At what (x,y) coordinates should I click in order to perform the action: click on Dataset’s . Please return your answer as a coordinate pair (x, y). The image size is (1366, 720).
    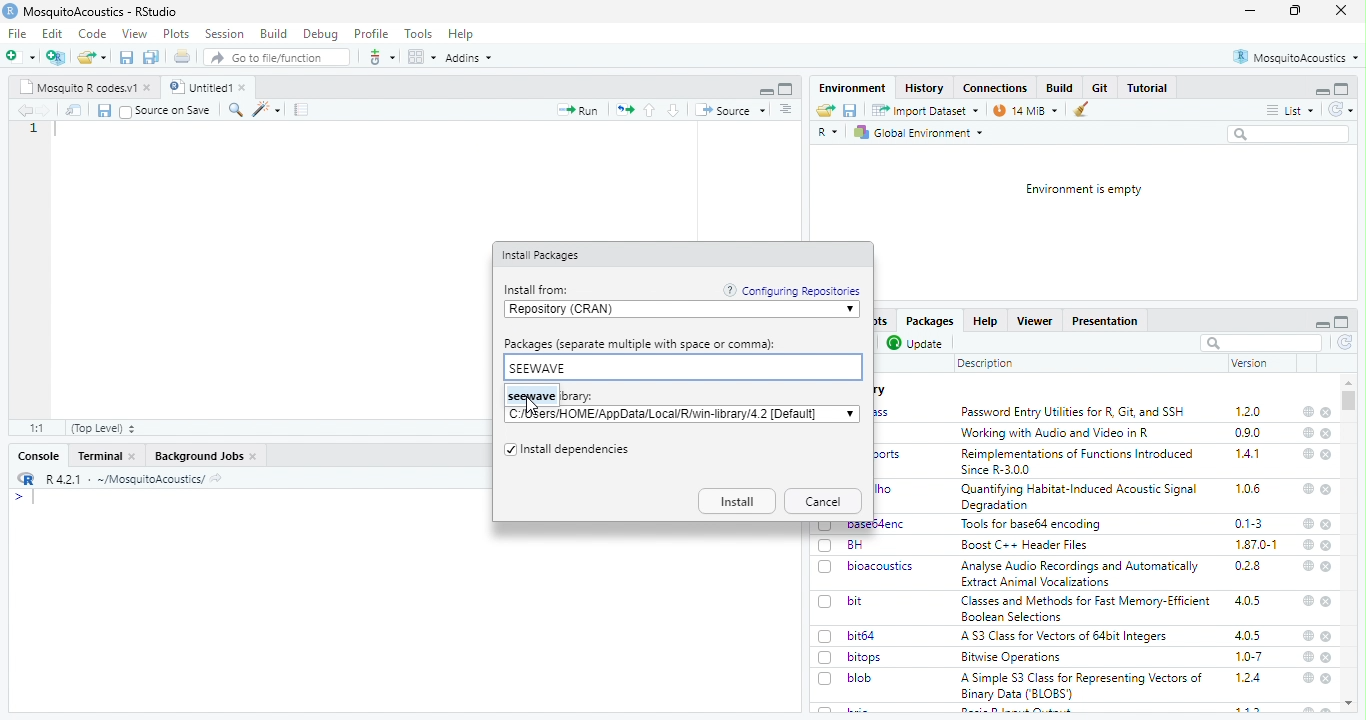
    Looking at the image, I should click on (303, 110).